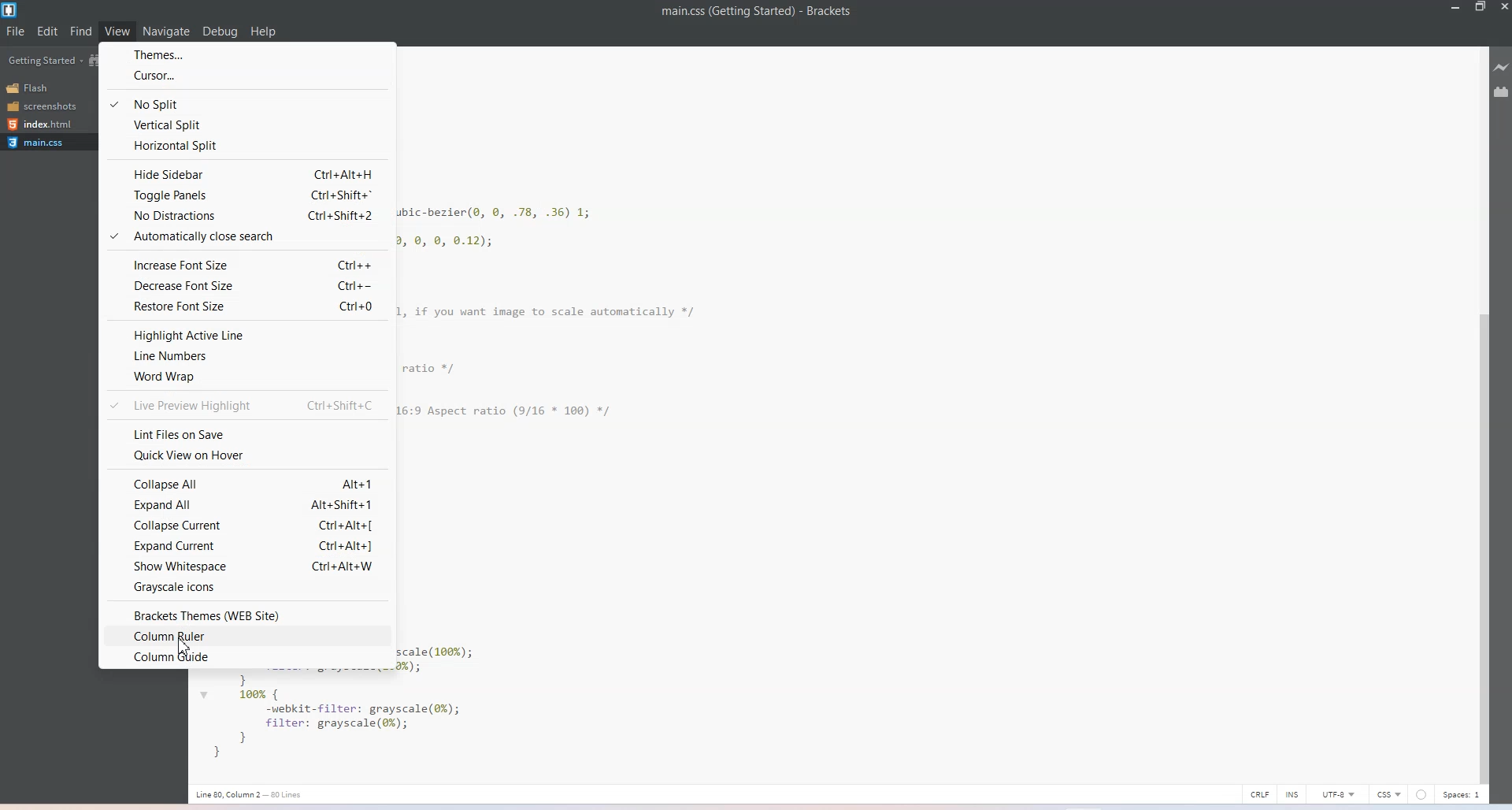 The image size is (1512, 810). Describe the element at coordinates (246, 124) in the screenshot. I see `Vertical Split` at that location.